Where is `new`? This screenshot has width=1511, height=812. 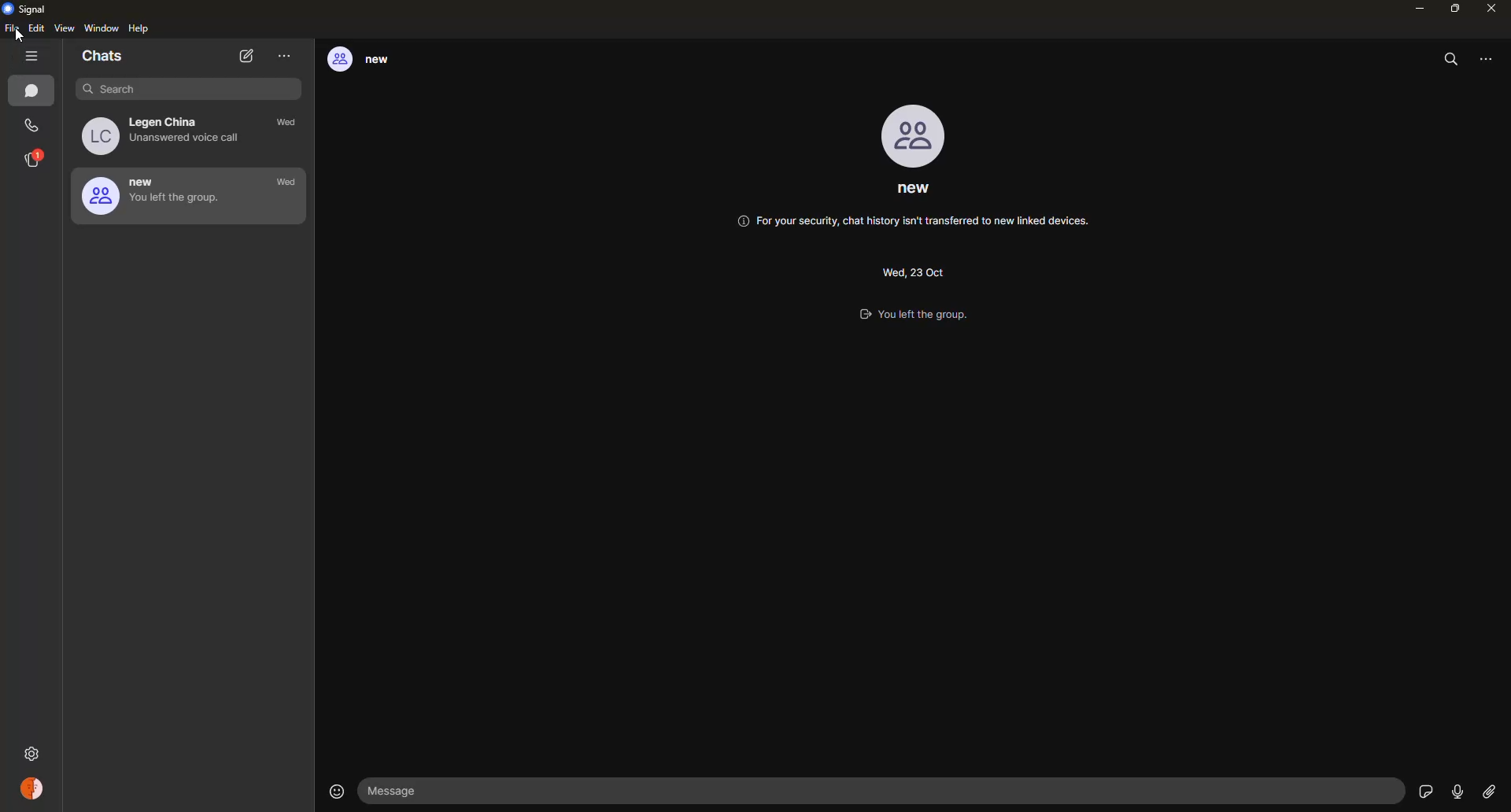 new is located at coordinates (914, 192).